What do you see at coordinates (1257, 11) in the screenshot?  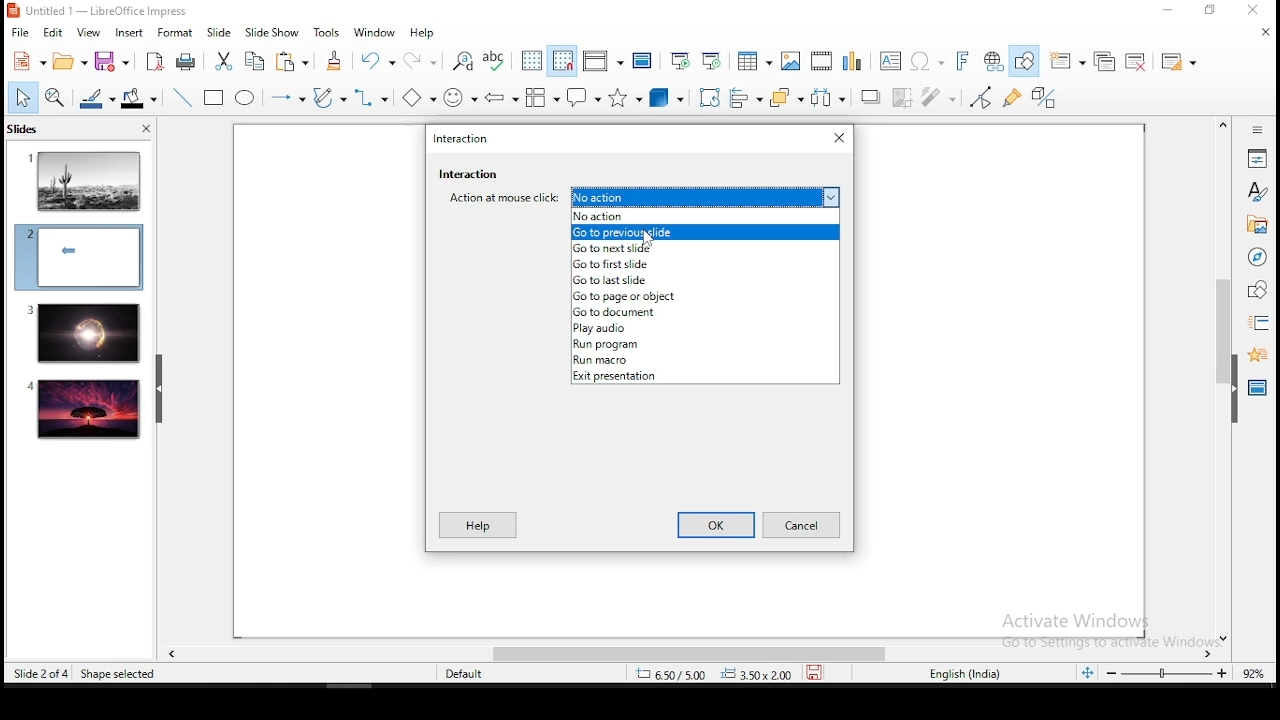 I see `close window` at bounding box center [1257, 11].